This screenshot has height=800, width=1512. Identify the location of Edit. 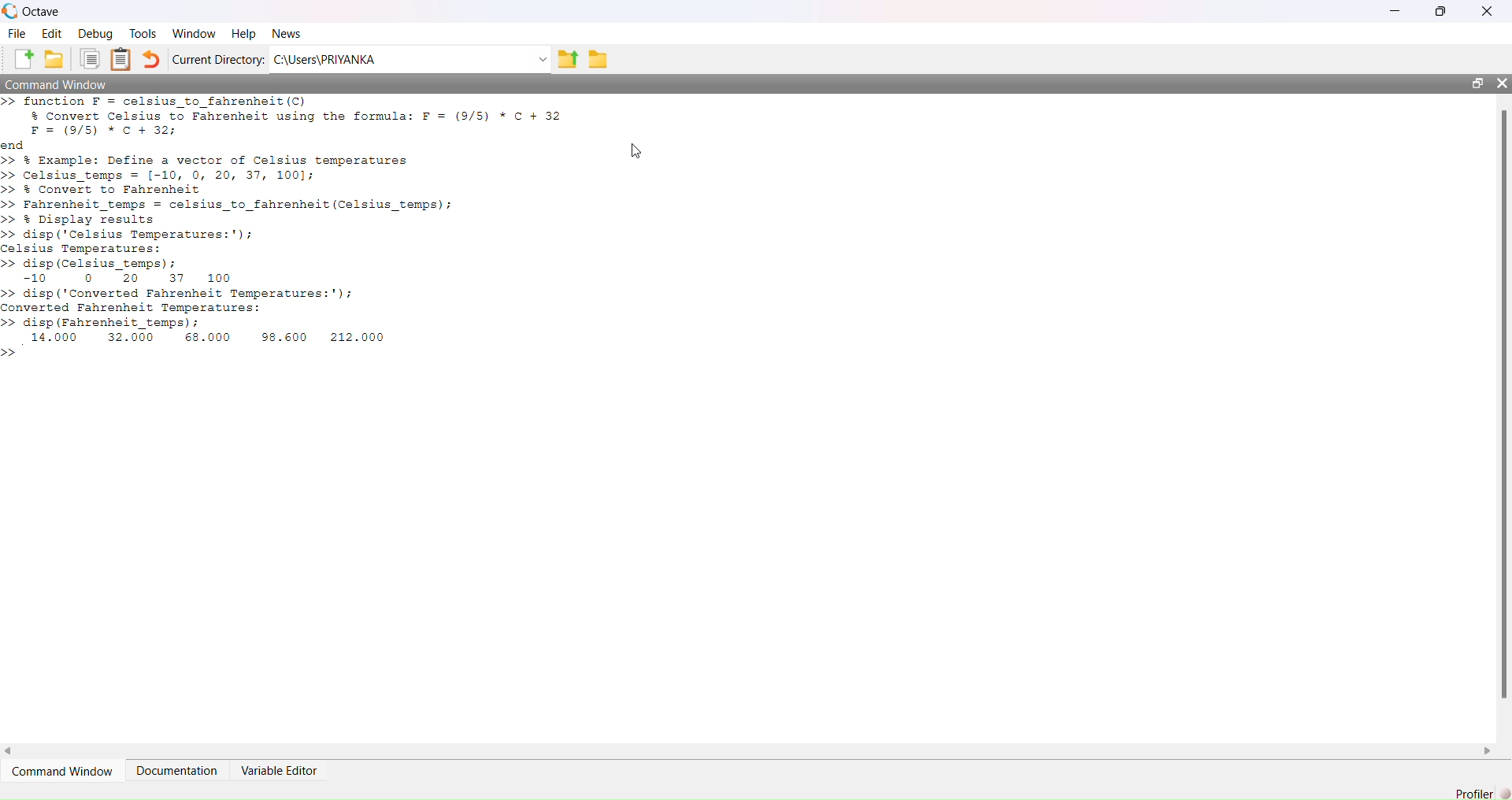
(52, 33).